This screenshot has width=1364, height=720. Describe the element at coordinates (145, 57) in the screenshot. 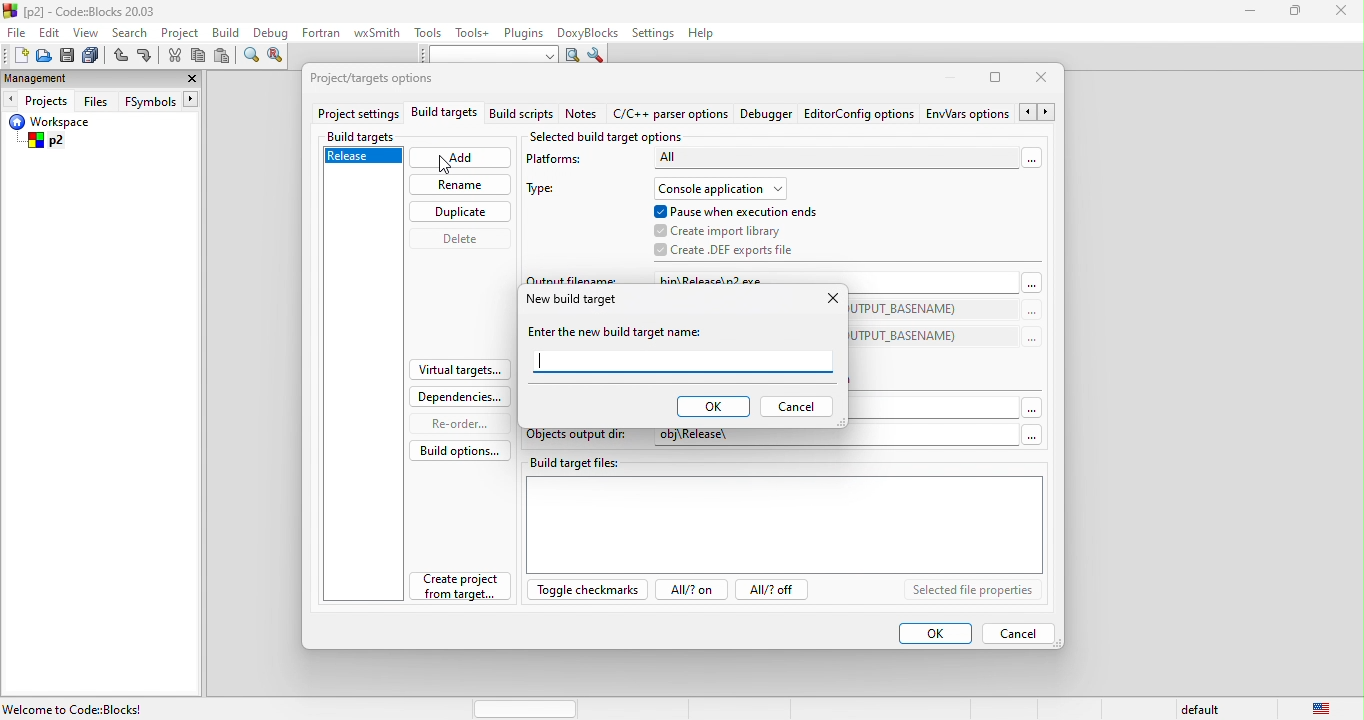

I see `redo` at that location.